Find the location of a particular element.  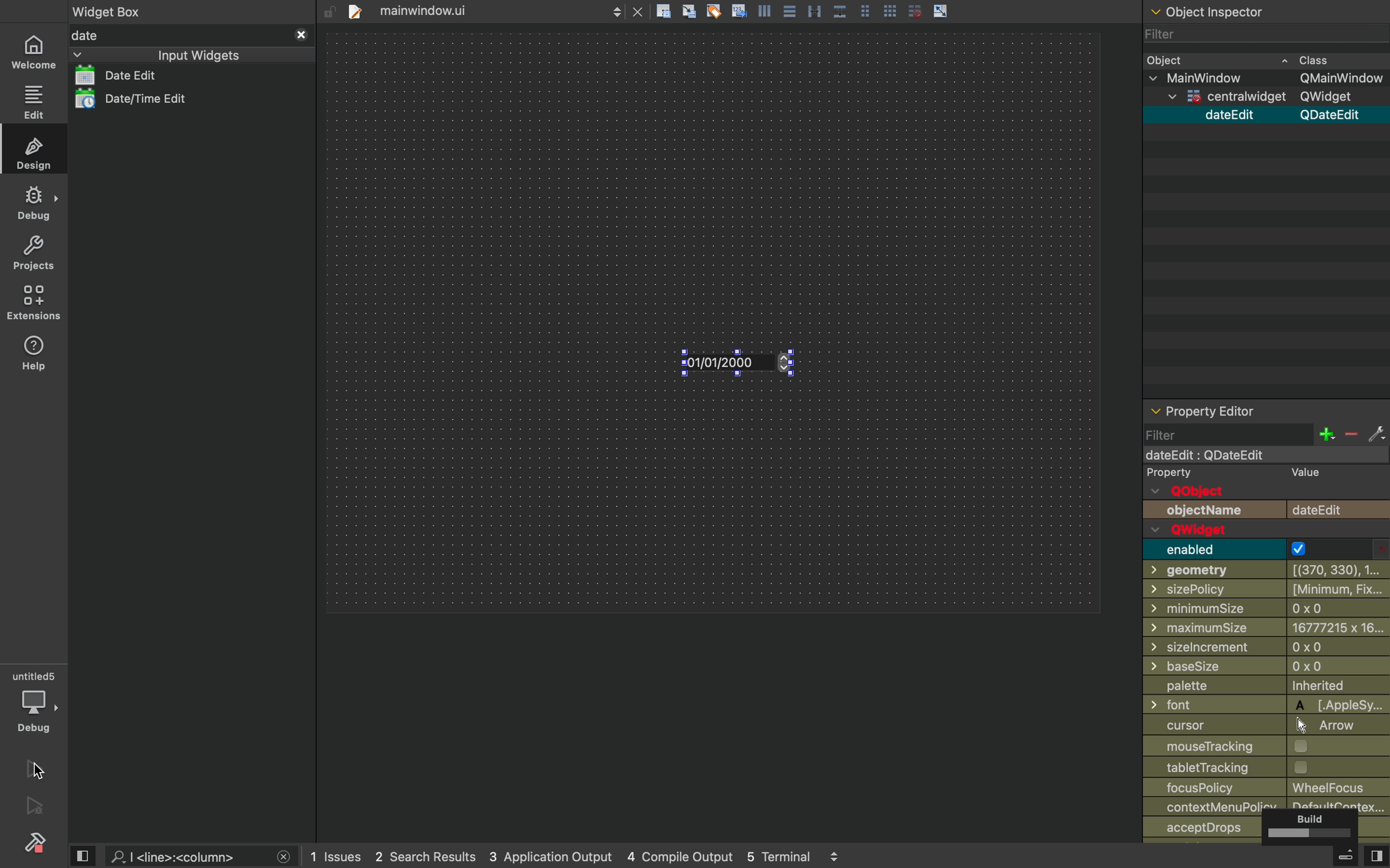

view is located at coordinates (1376, 854).